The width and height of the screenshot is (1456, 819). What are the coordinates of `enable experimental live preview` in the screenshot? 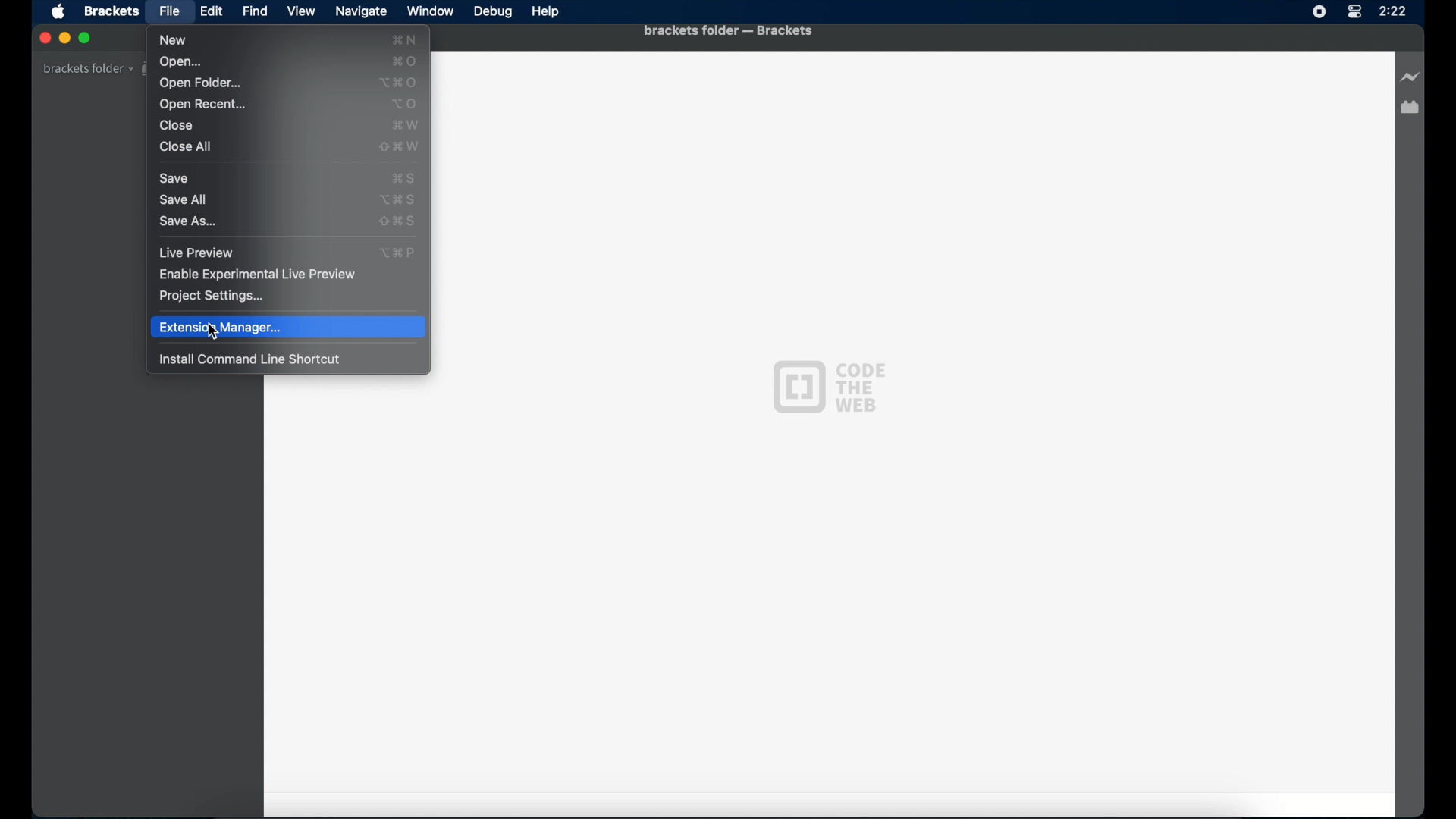 It's located at (259, 274).